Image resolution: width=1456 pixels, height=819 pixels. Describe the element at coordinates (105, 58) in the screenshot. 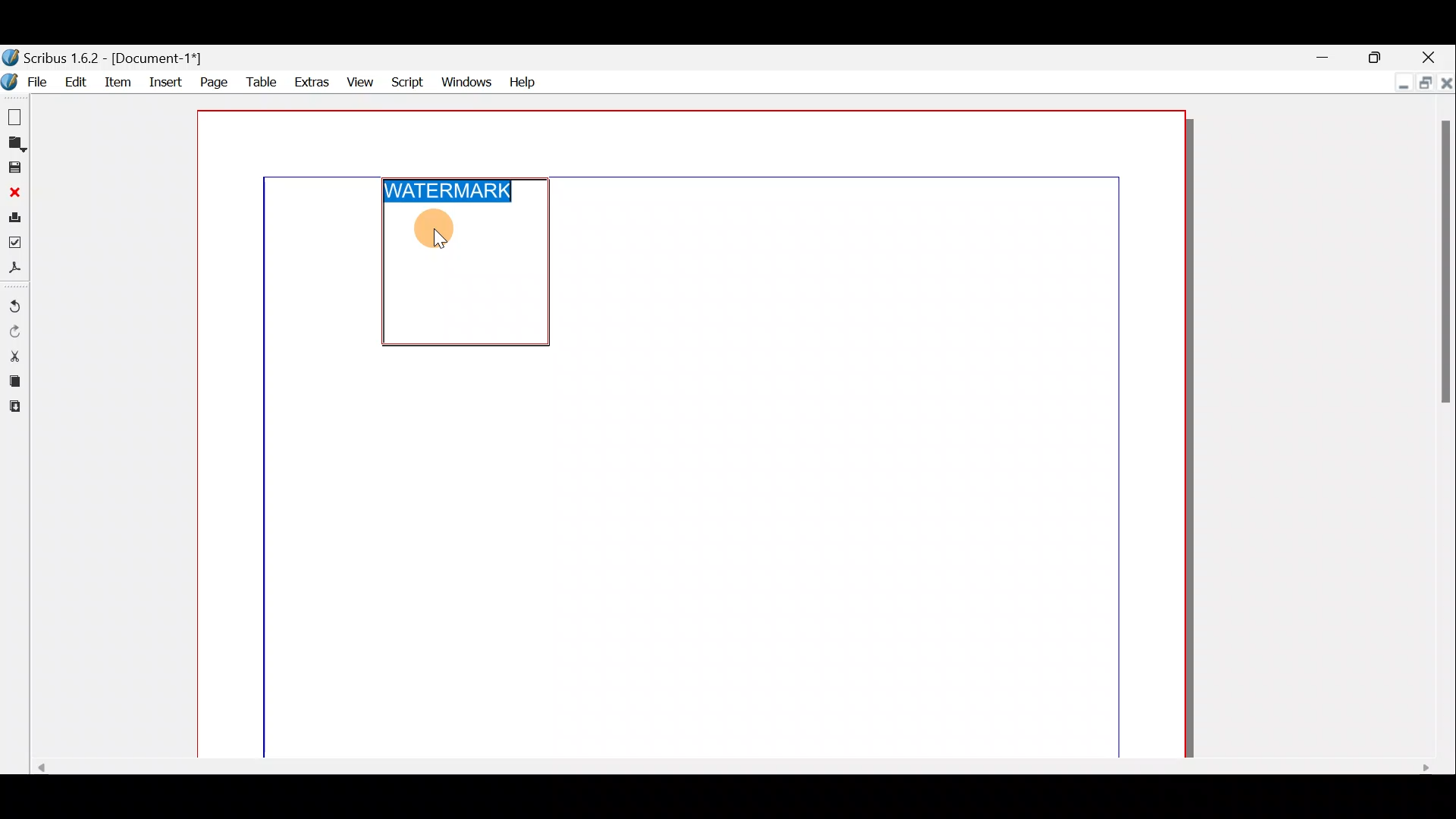

I see `Document name` at that location.